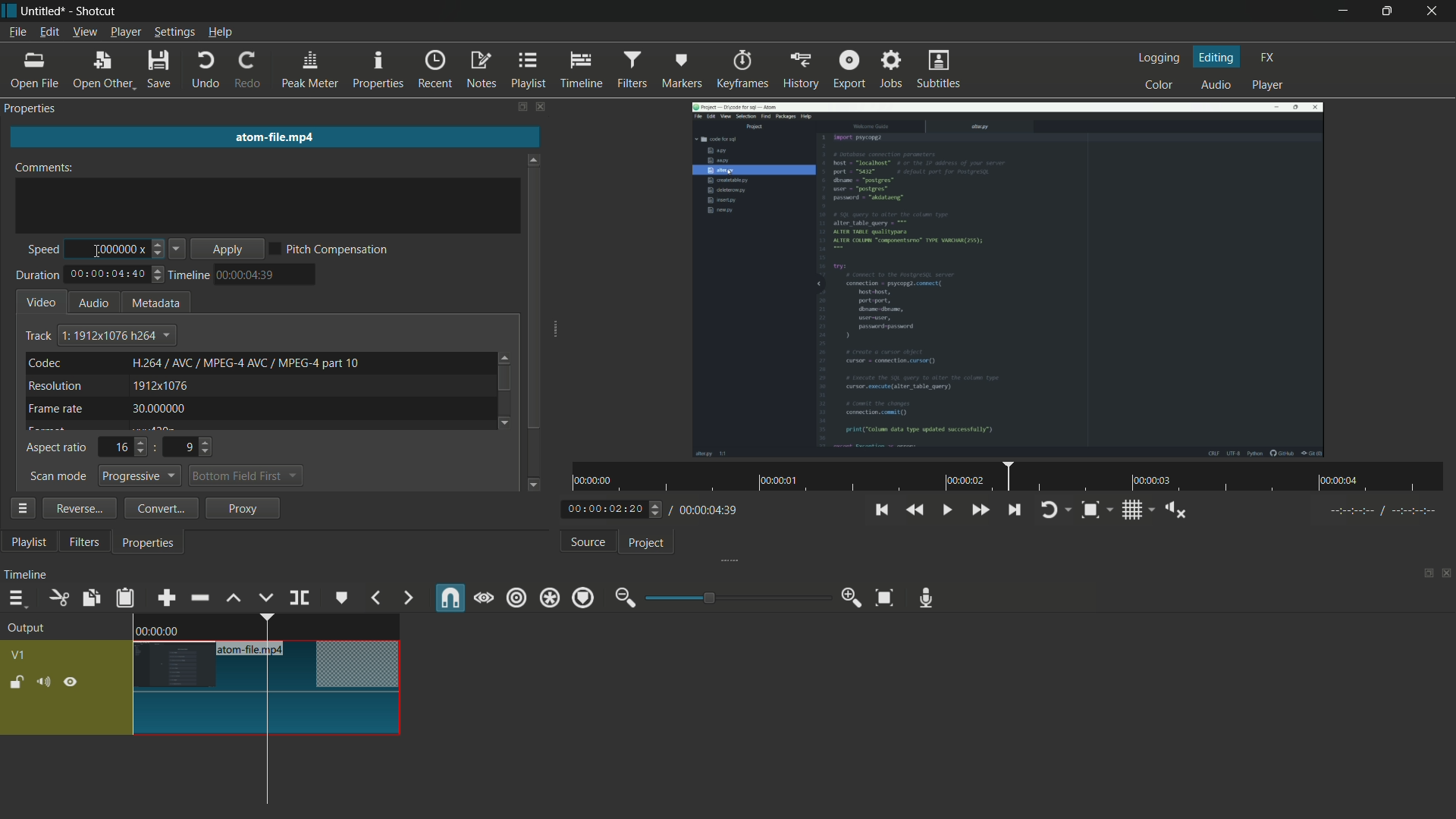 The height and width of the screenshot is (819, 1456). I want to click on split at playhead, so click(297, 598).